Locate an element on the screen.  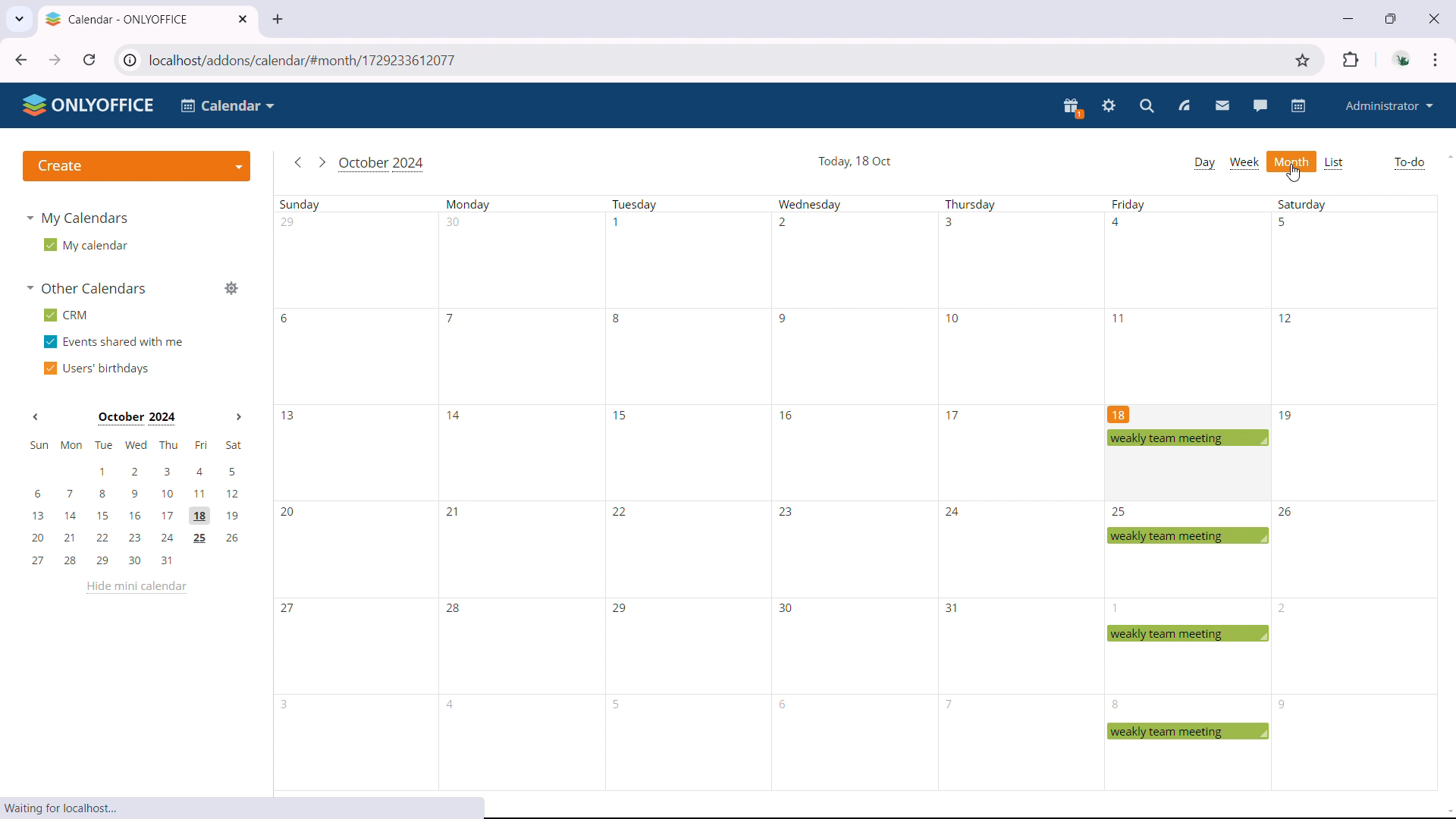
Saturday is located at coordinates (1355, 493).